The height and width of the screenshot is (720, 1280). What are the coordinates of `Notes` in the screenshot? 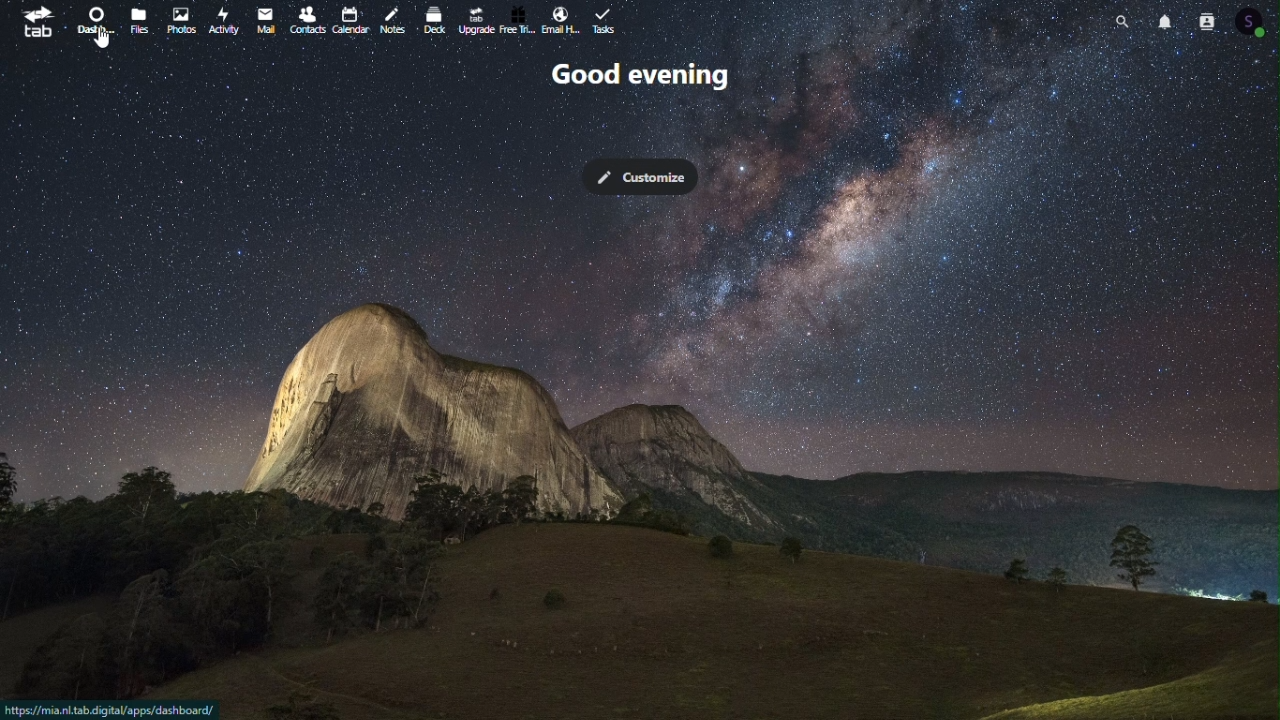 It's located at (397, 16).